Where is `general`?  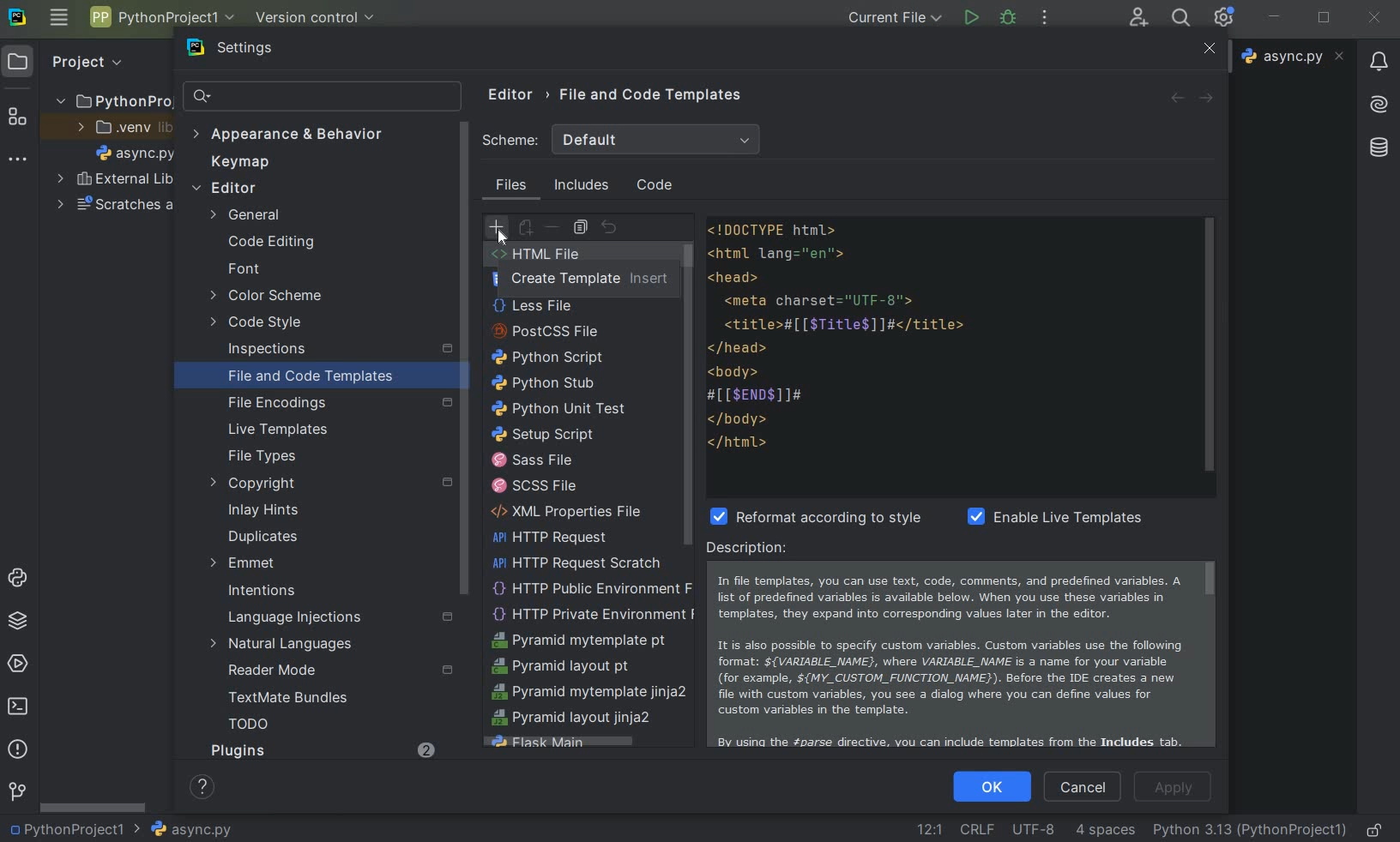
general is located at coordinates (250, 215).